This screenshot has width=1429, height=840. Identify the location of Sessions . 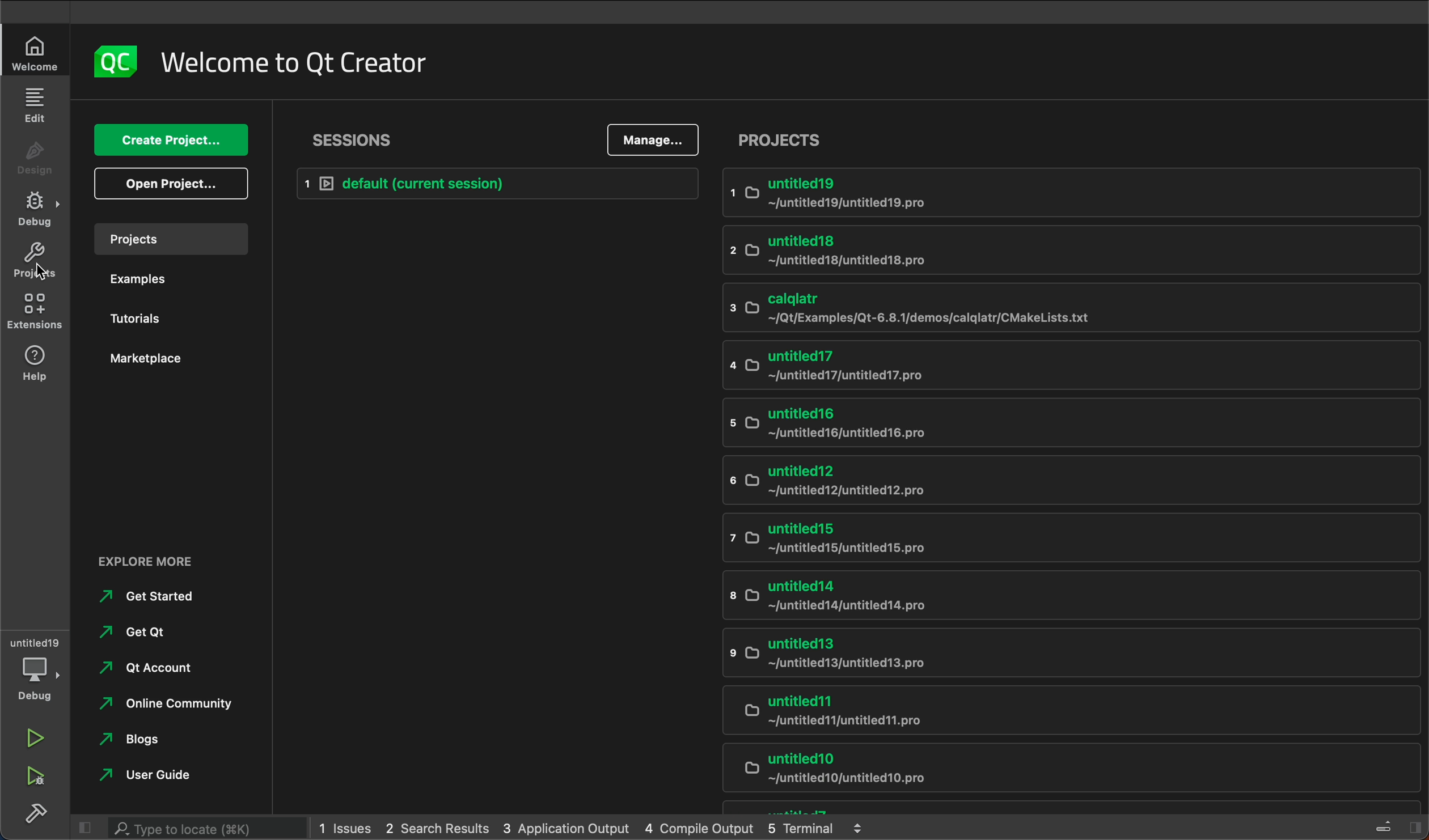
(361, 140).